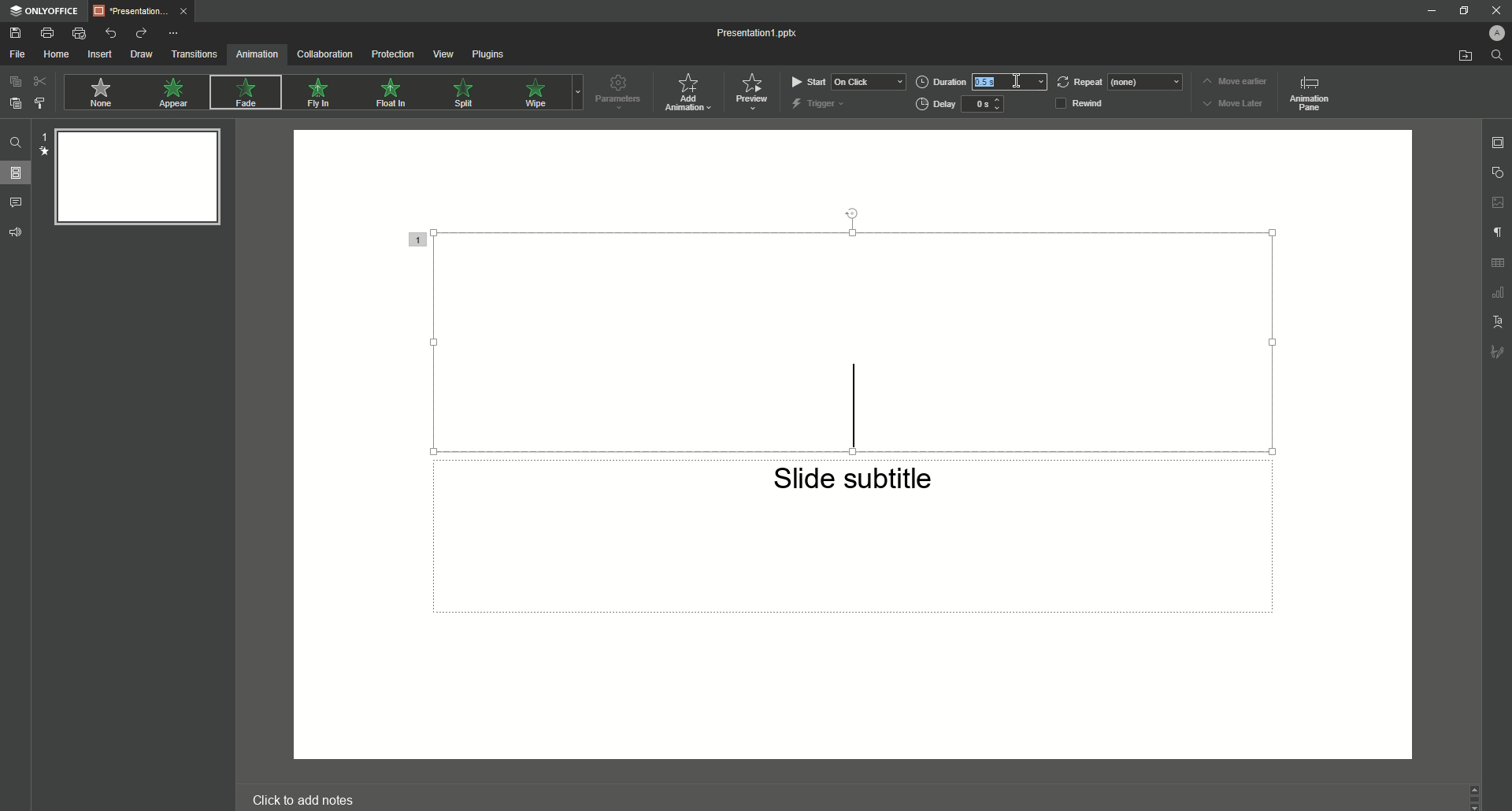 This screenshot has width=1512, height=811. Describe the element at coordinates (1496, 10) in the screenshot. I see `Close` at that location.